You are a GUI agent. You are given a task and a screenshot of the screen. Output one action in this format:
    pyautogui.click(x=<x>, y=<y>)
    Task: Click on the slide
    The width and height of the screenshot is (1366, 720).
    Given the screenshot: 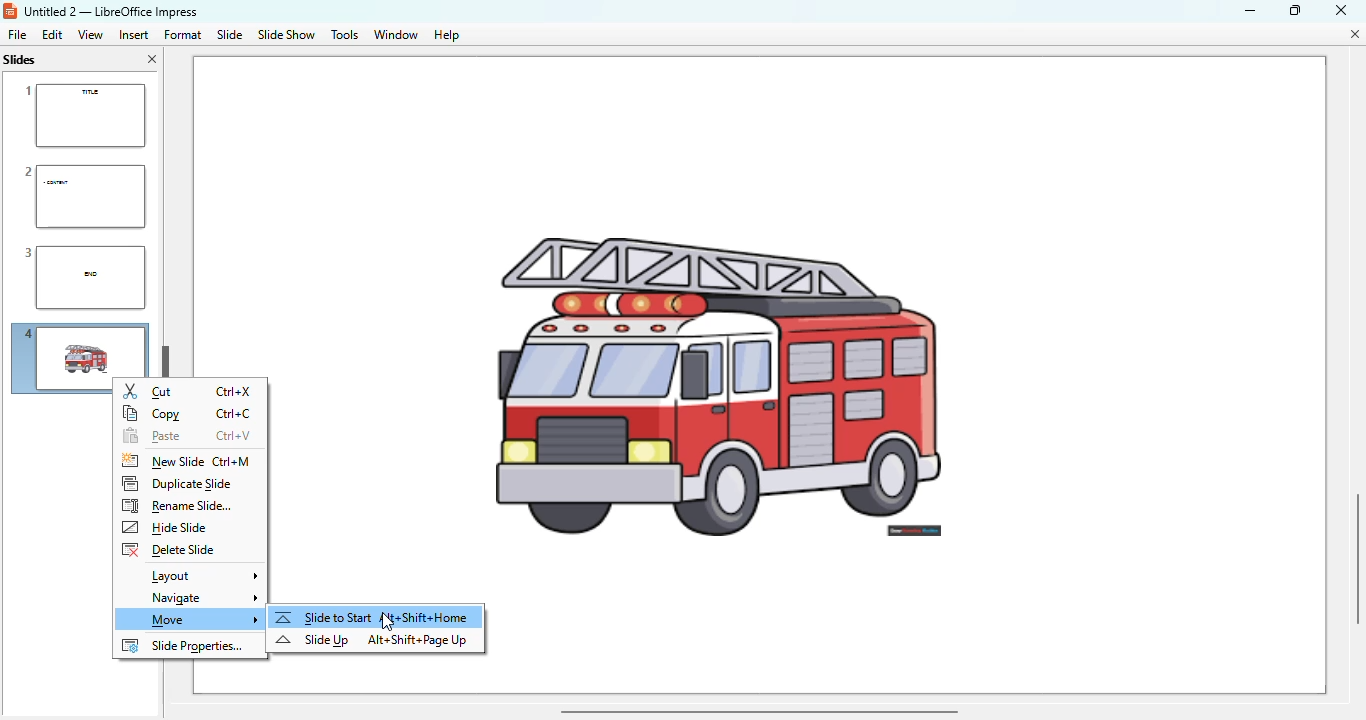 What is the action you would take?
    pyautogui.click(x=231, y=34)
    